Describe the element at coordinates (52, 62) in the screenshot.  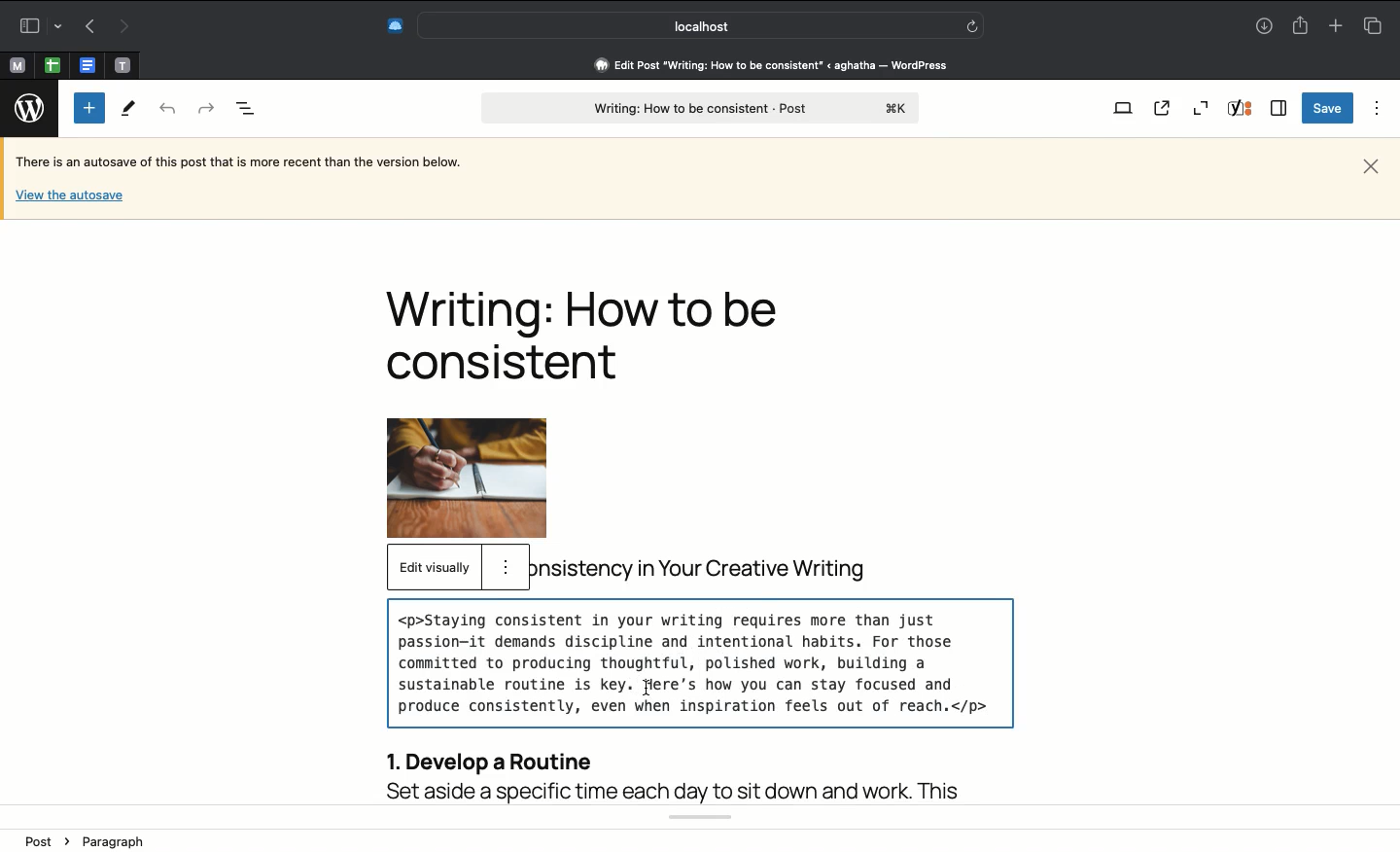
I see `pinned tab, google sheet` at that location.